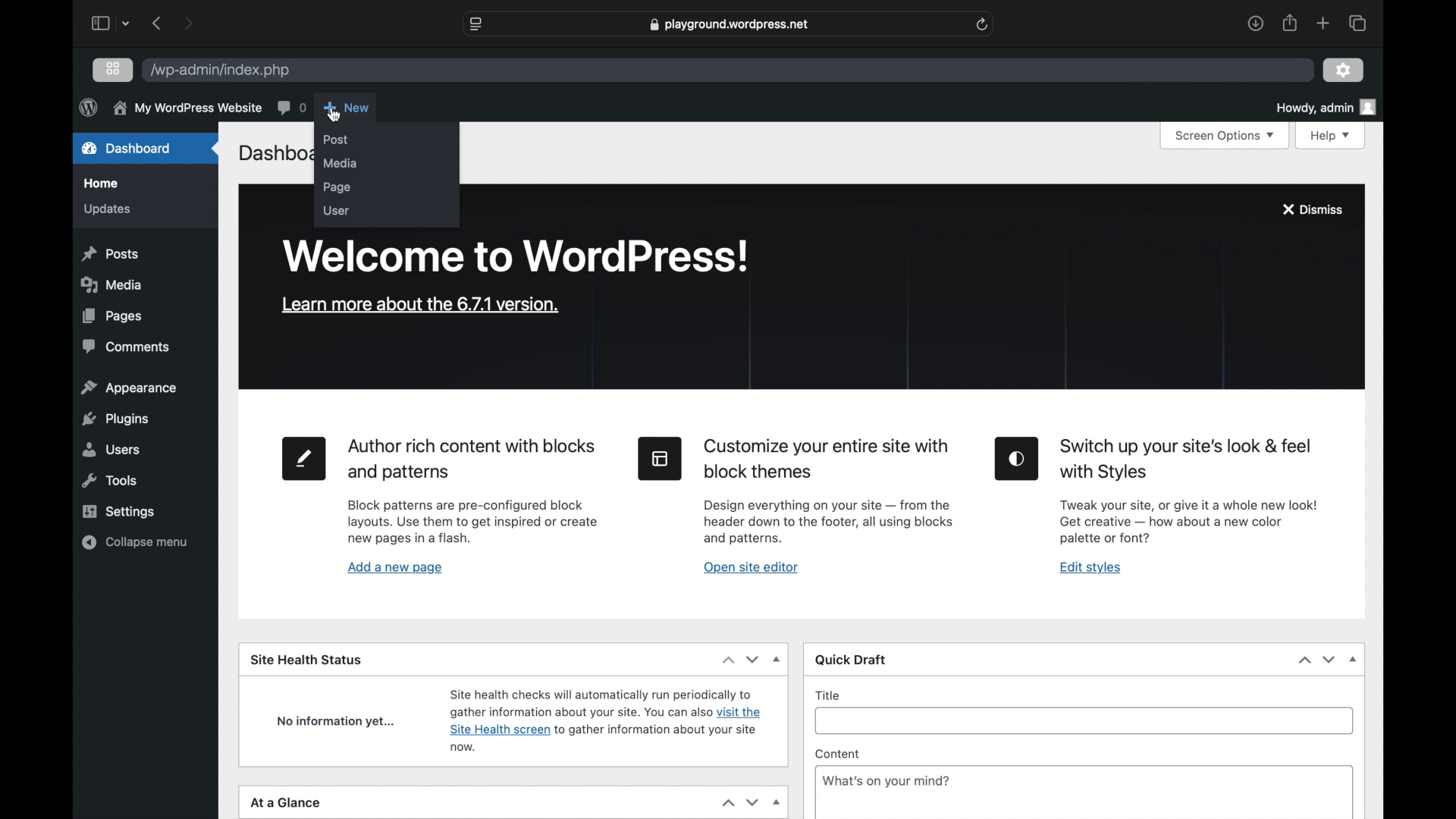 This screenshot has height=819, width=1456. What do you see at coordinates (1313, 210) in the screenshot?
I see `dismiss` at bounding box center [1313, 210].